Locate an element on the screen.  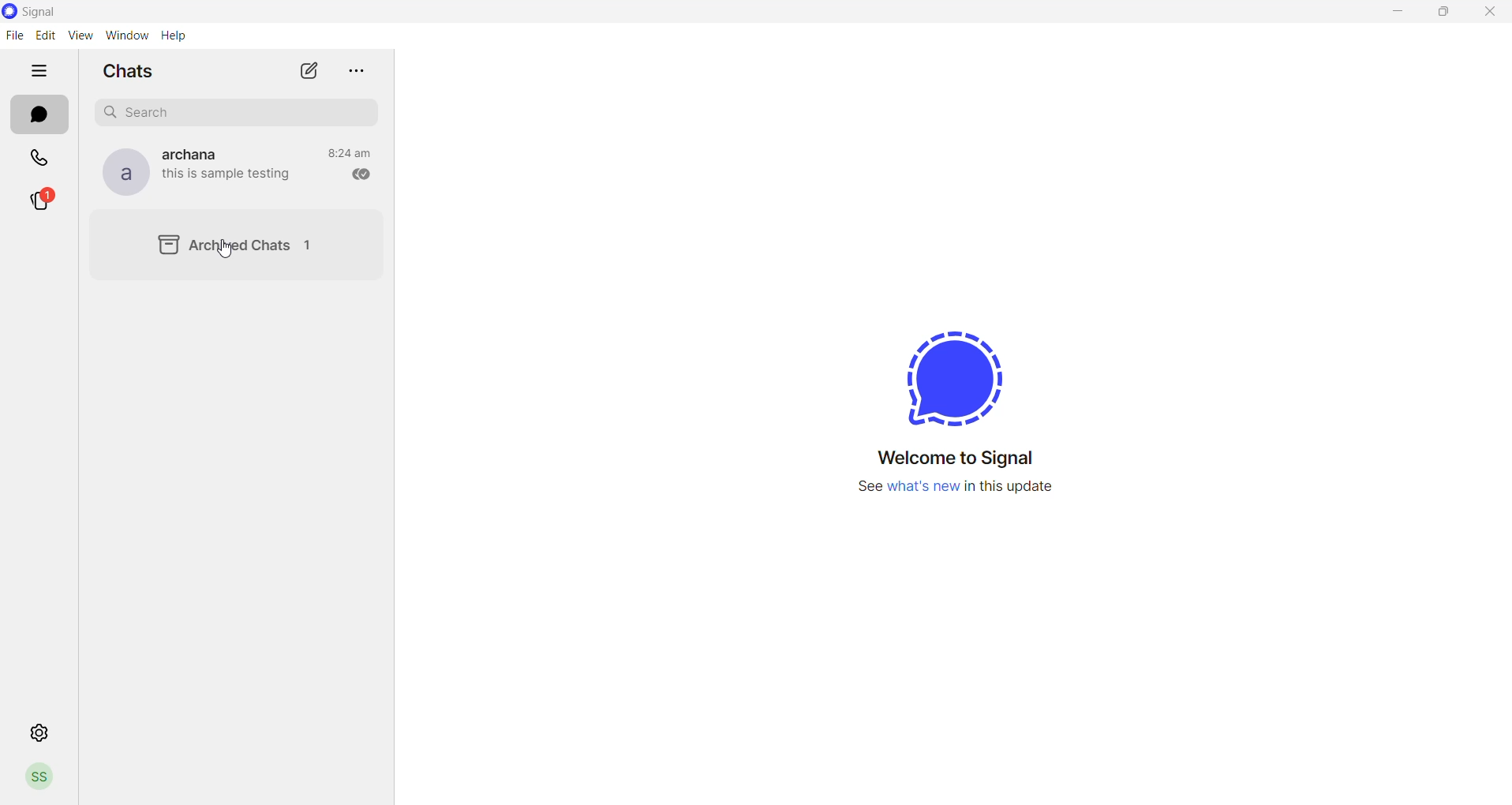
calls is located at coordinates (37, 159).